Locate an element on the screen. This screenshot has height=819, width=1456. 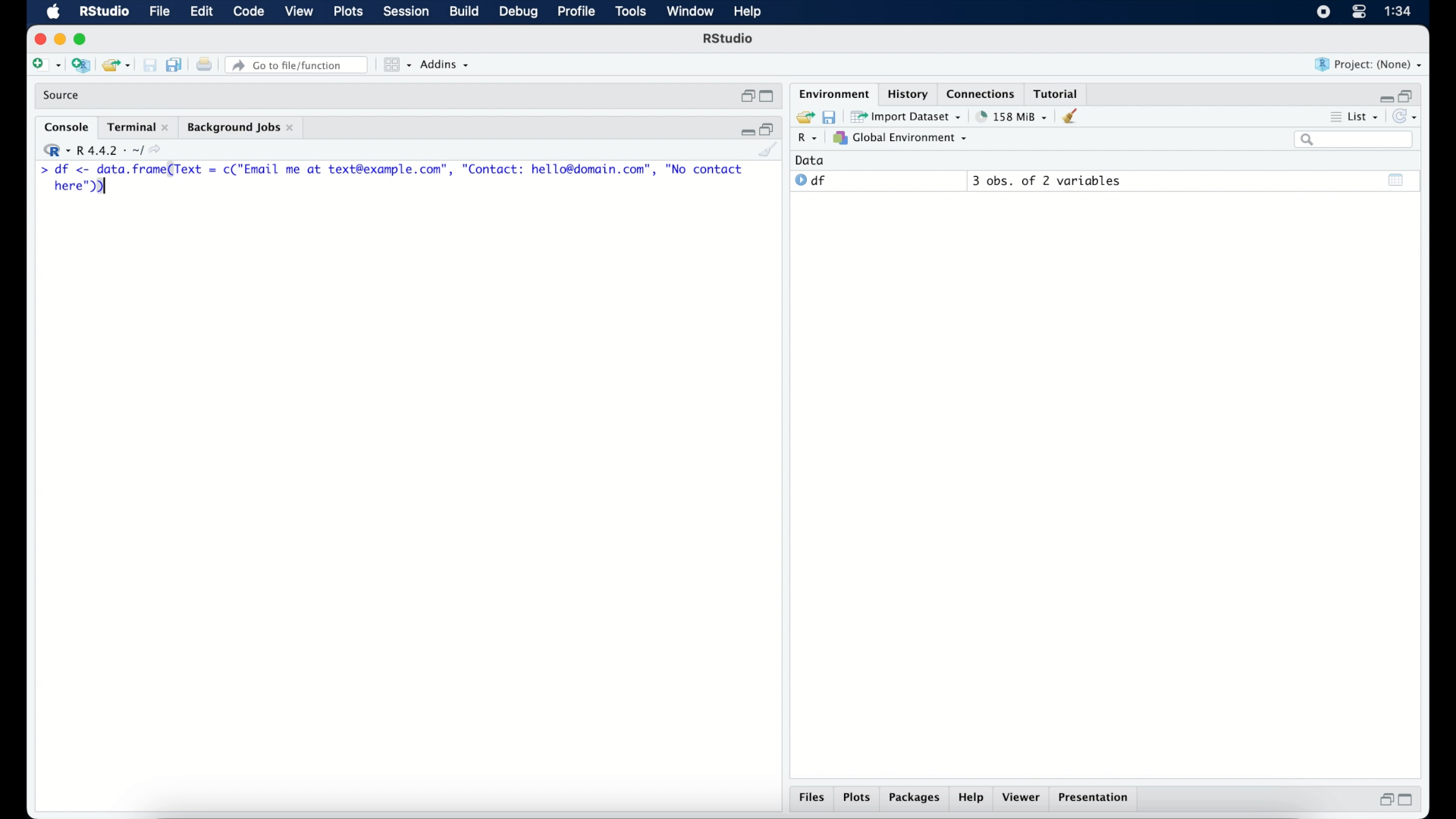
window is located at coordinates (691, 13).